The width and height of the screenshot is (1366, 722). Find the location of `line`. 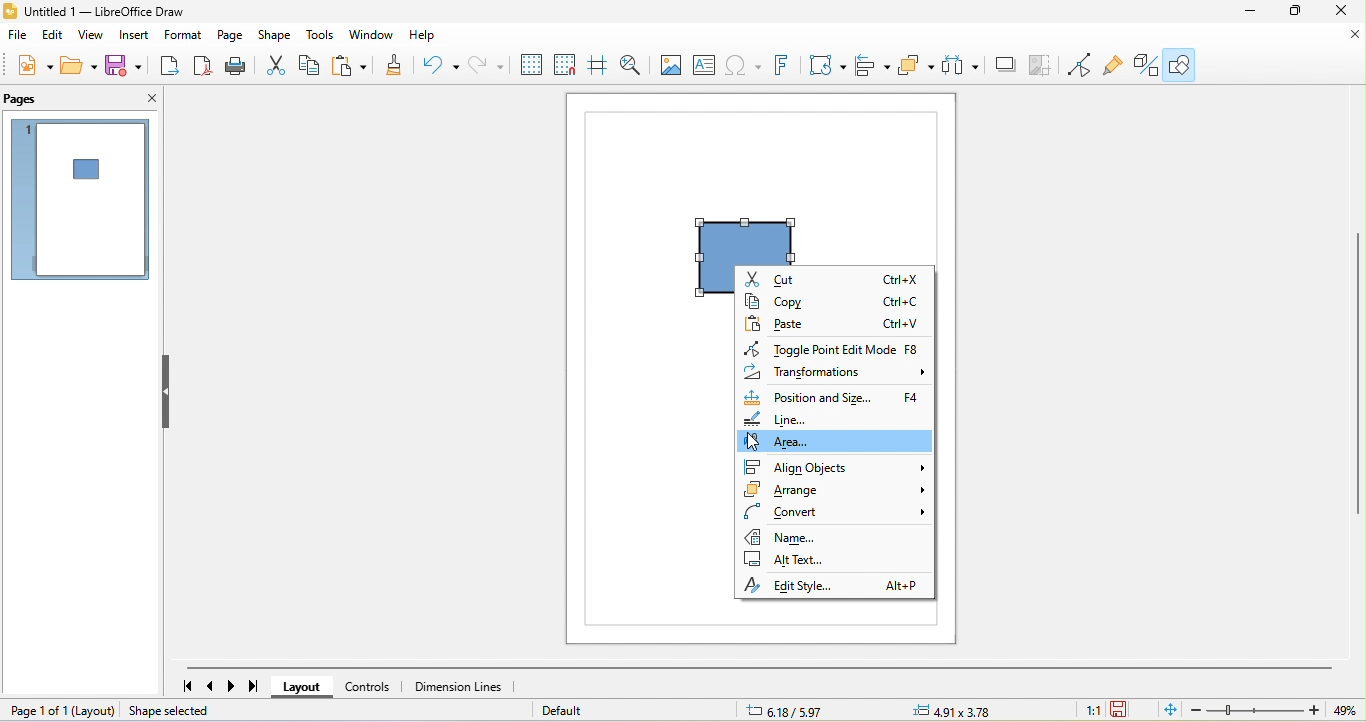

line is located at coordinates (792, 421).